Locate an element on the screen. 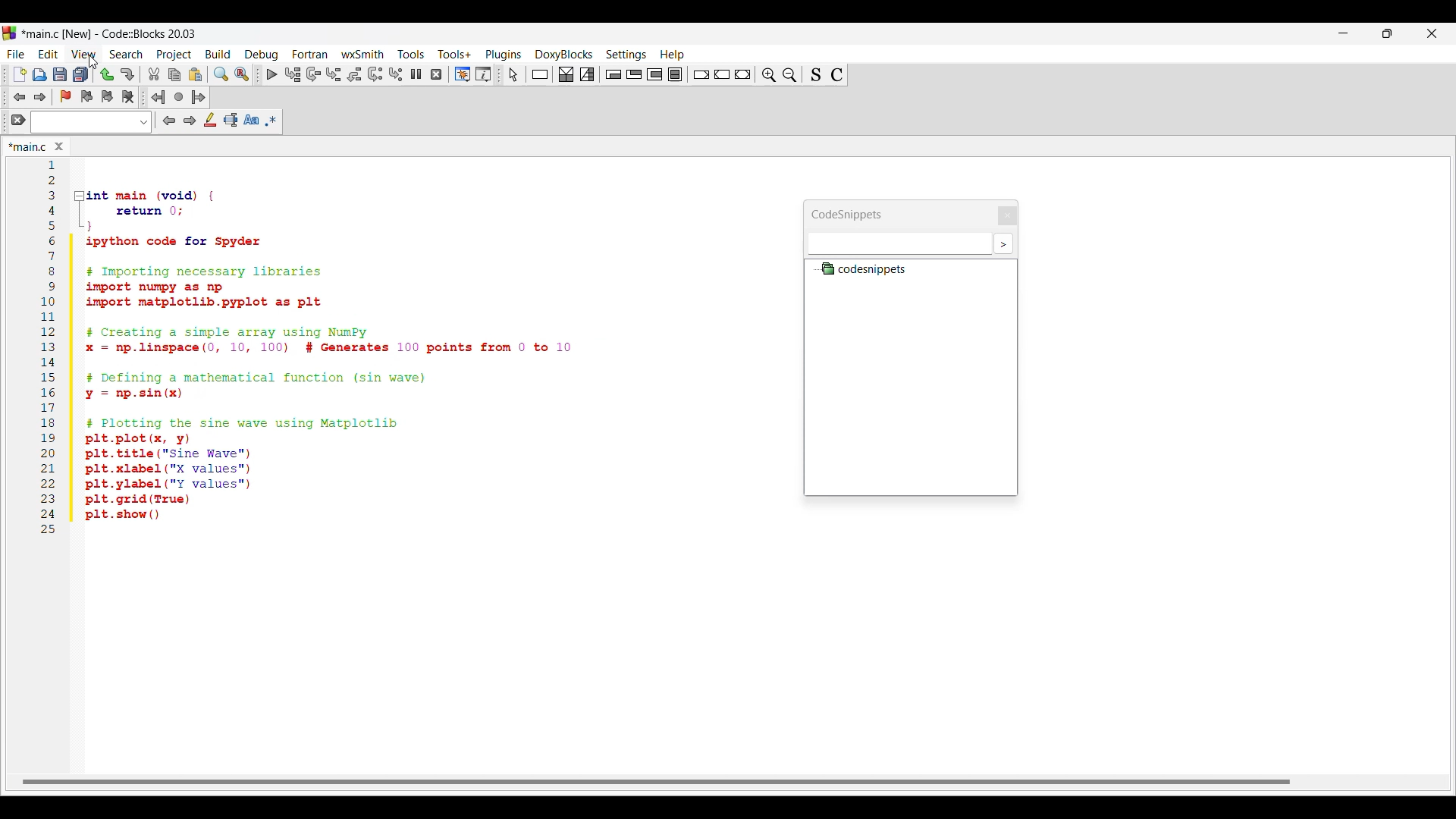 This screenshot has width=1456, height=819. Entry condition loop is located at coordinates (613, 74).